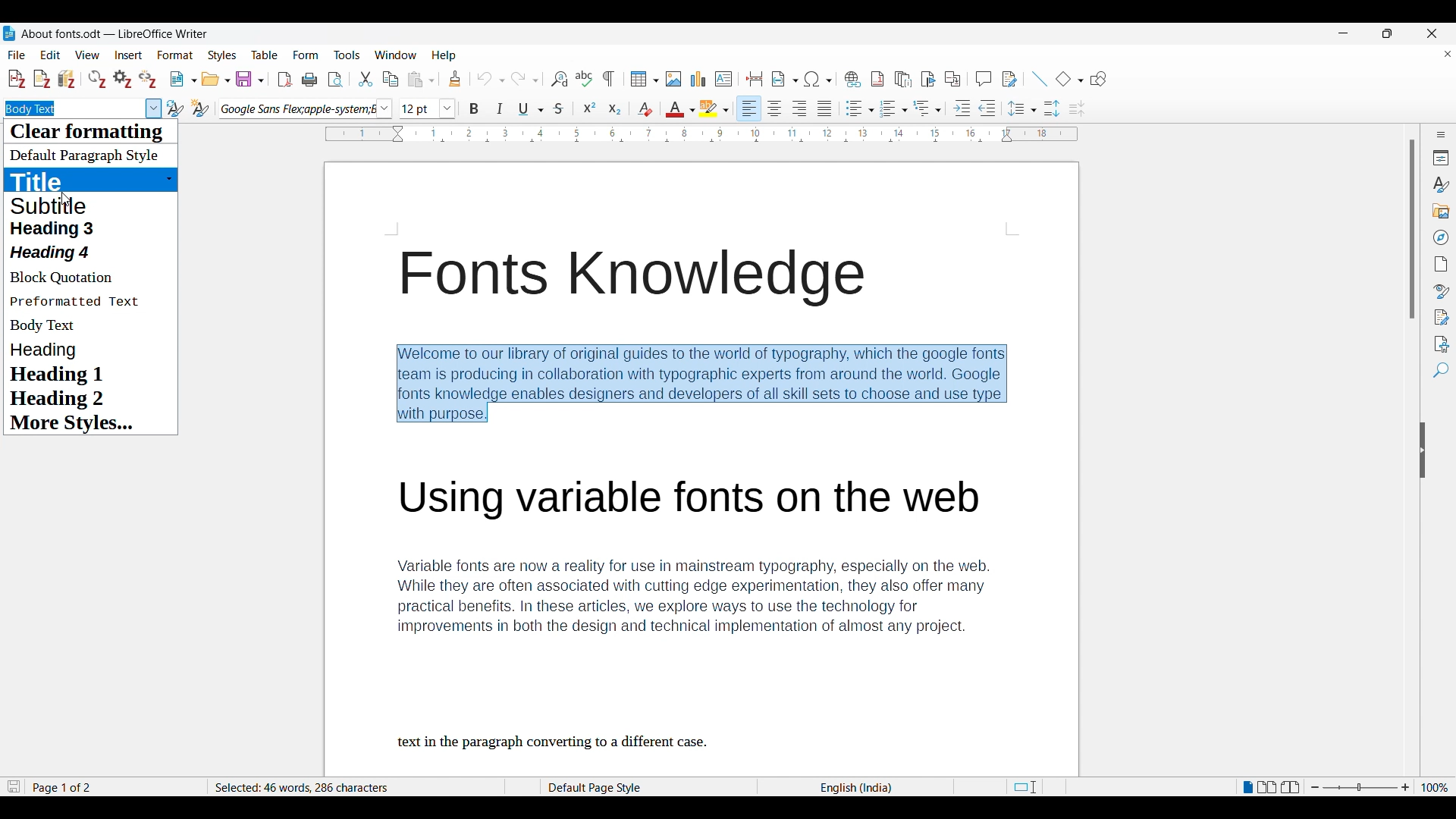 The image size is (1456, 819). I want to click on Properties, so click(1442, 158).